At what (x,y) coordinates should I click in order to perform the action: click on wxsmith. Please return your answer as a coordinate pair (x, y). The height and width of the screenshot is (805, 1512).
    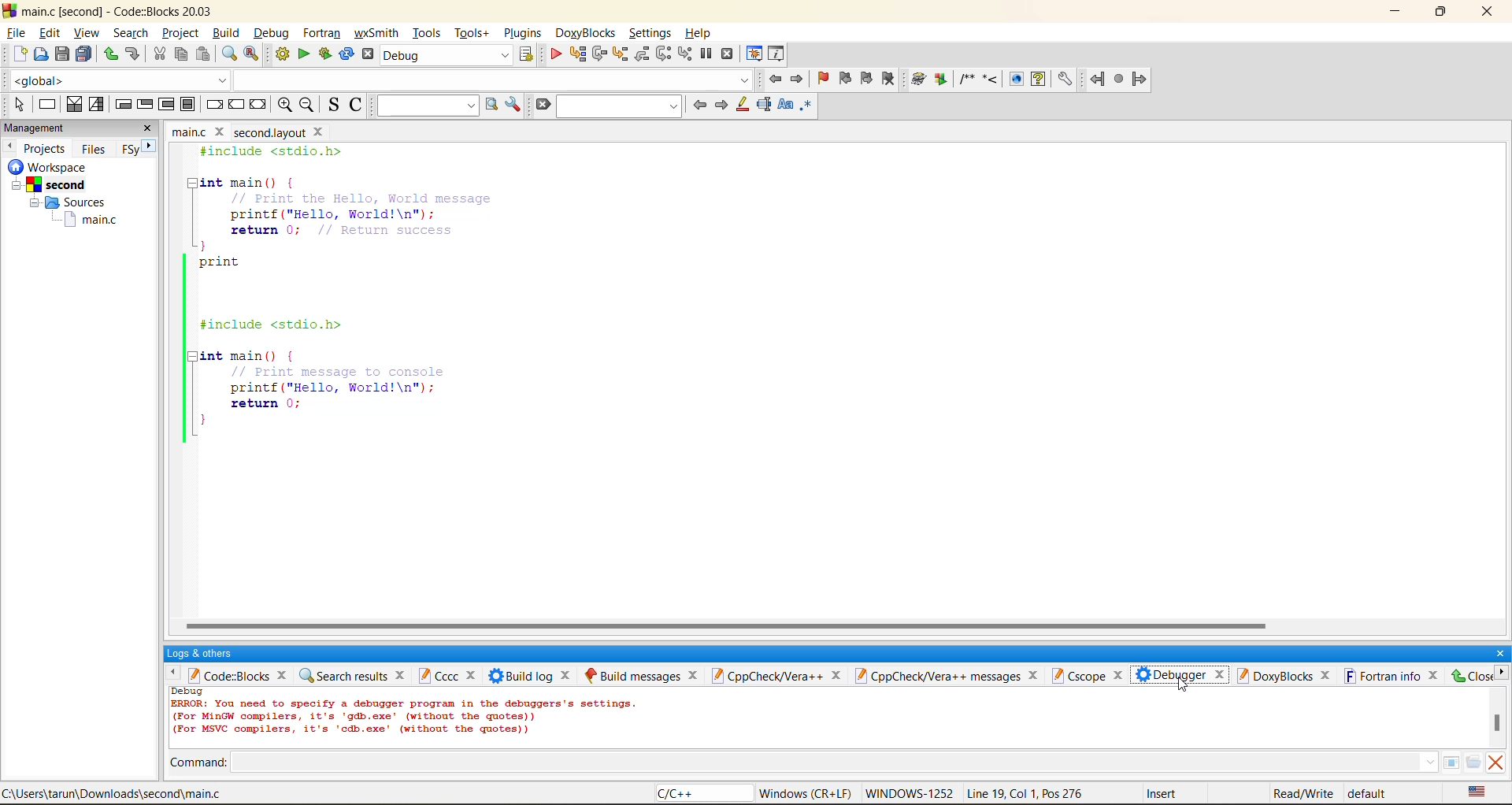
    Looking at the image, I should click on (377, 33).